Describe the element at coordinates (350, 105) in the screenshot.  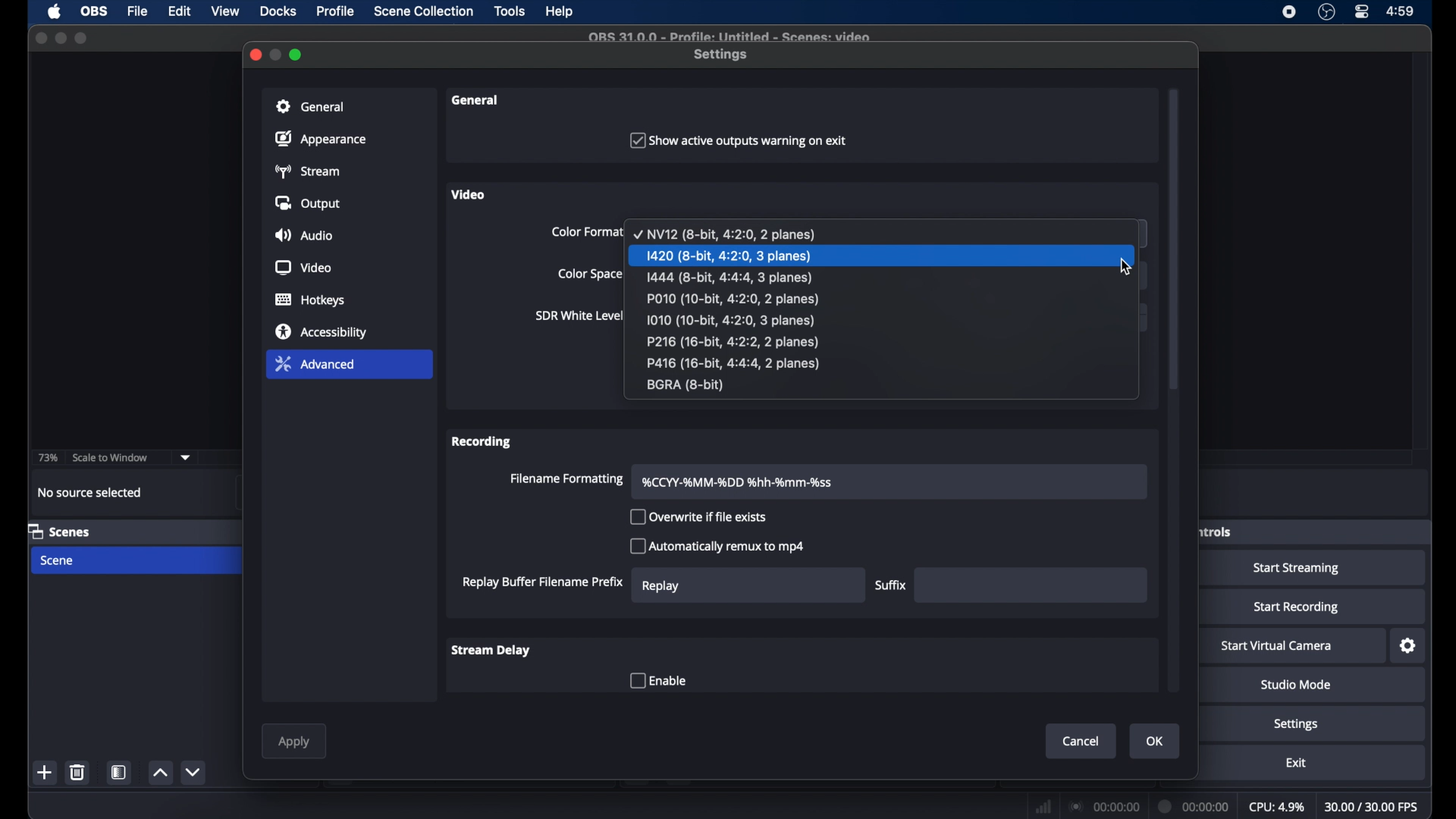
I see `general` at that location.